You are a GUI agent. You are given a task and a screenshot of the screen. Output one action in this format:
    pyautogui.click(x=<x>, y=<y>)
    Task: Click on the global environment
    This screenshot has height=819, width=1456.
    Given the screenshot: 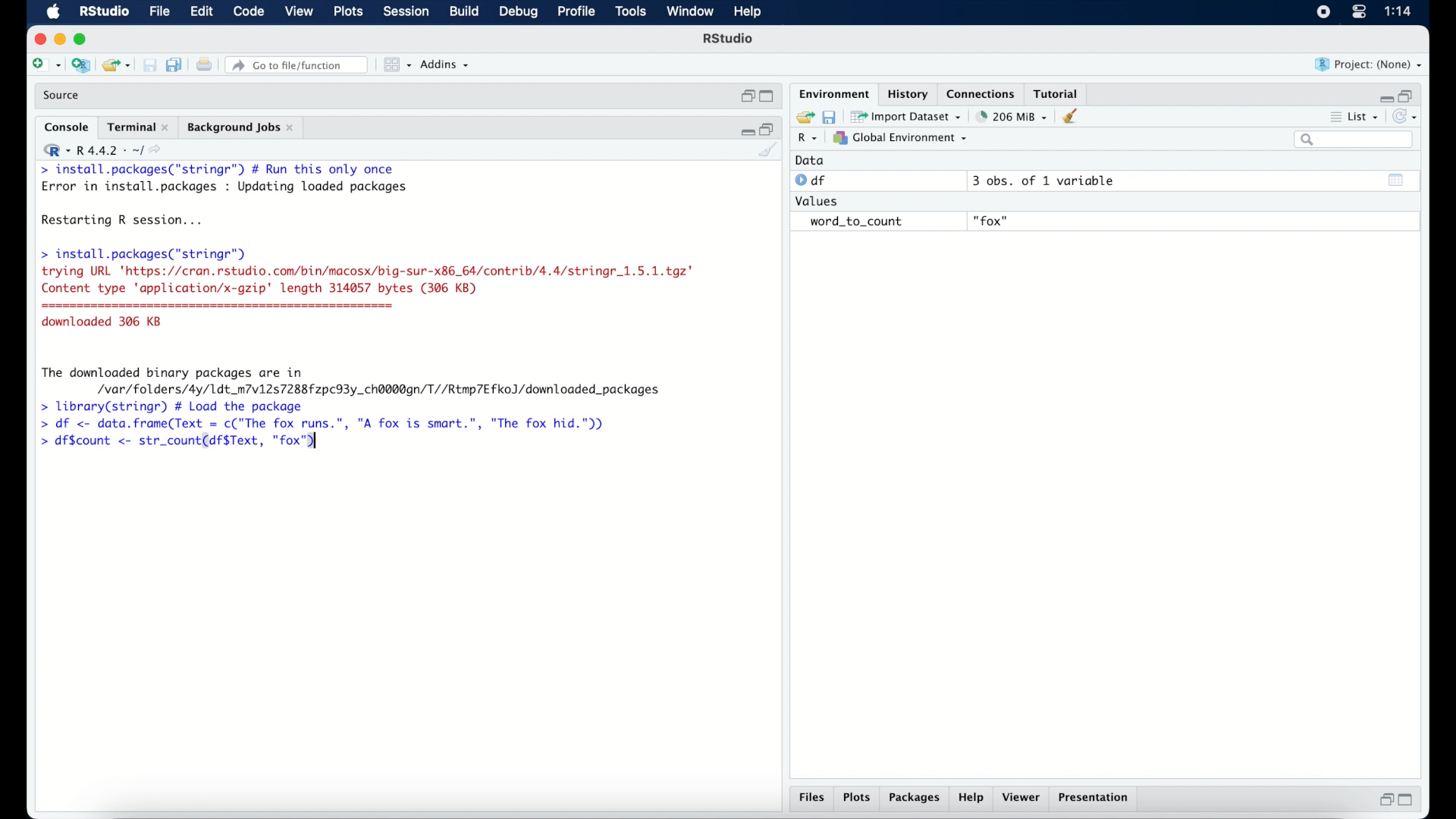 What is the action you would take?
    pyautogui.click(x=900, y=137)
    